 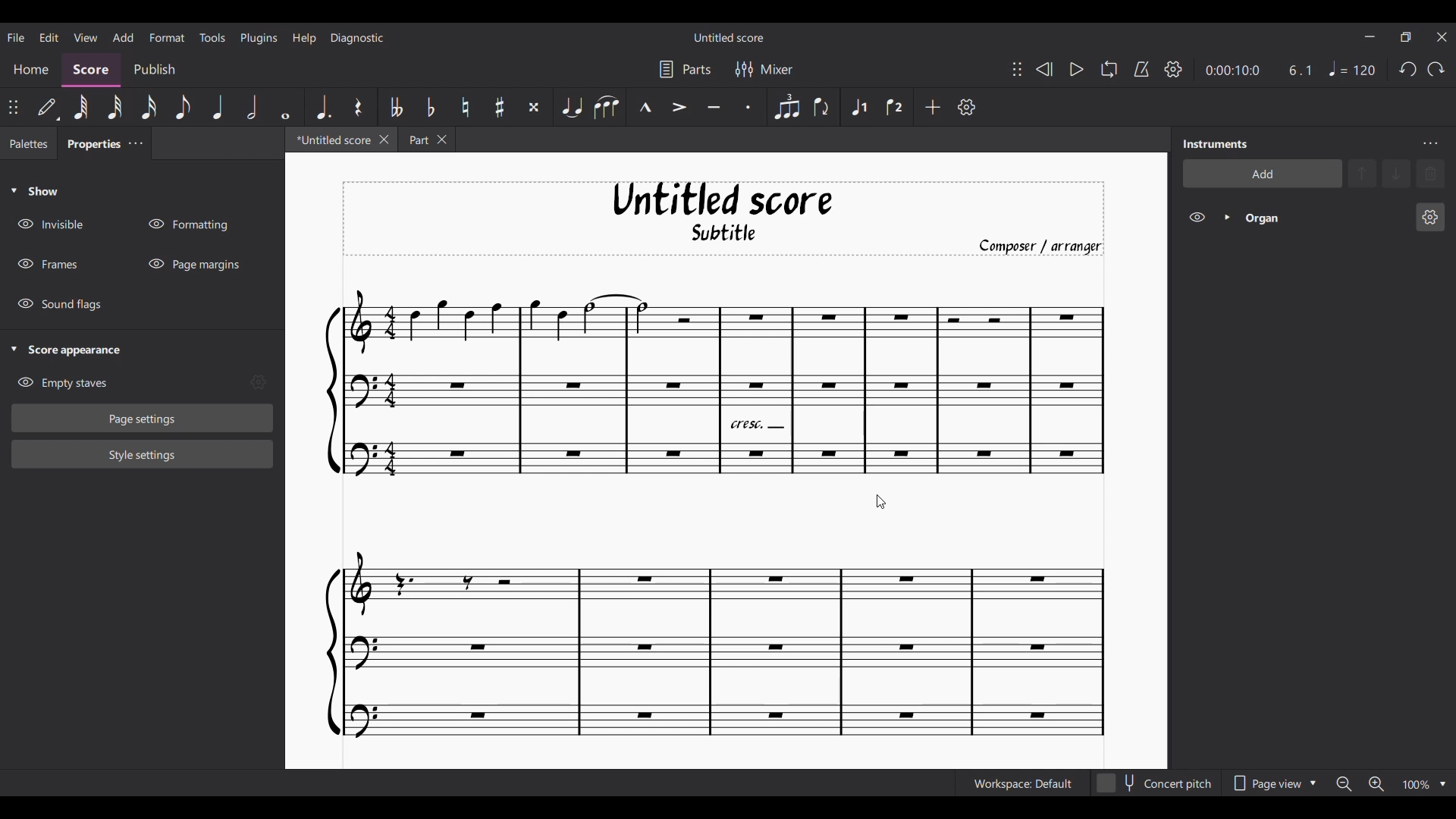 I want to click on Show interface in a smaller tab, so click(x=1406, y=37).